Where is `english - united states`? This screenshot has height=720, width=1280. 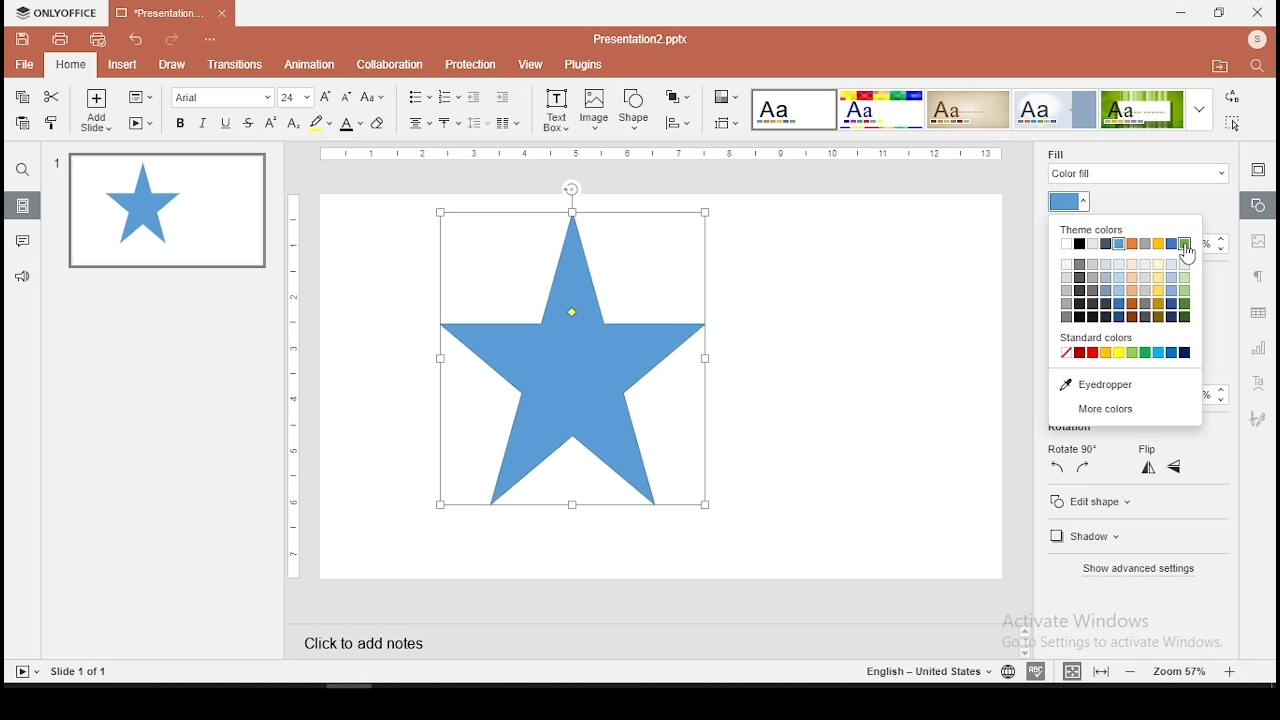 english - united states is located at coordinates (927, 674).